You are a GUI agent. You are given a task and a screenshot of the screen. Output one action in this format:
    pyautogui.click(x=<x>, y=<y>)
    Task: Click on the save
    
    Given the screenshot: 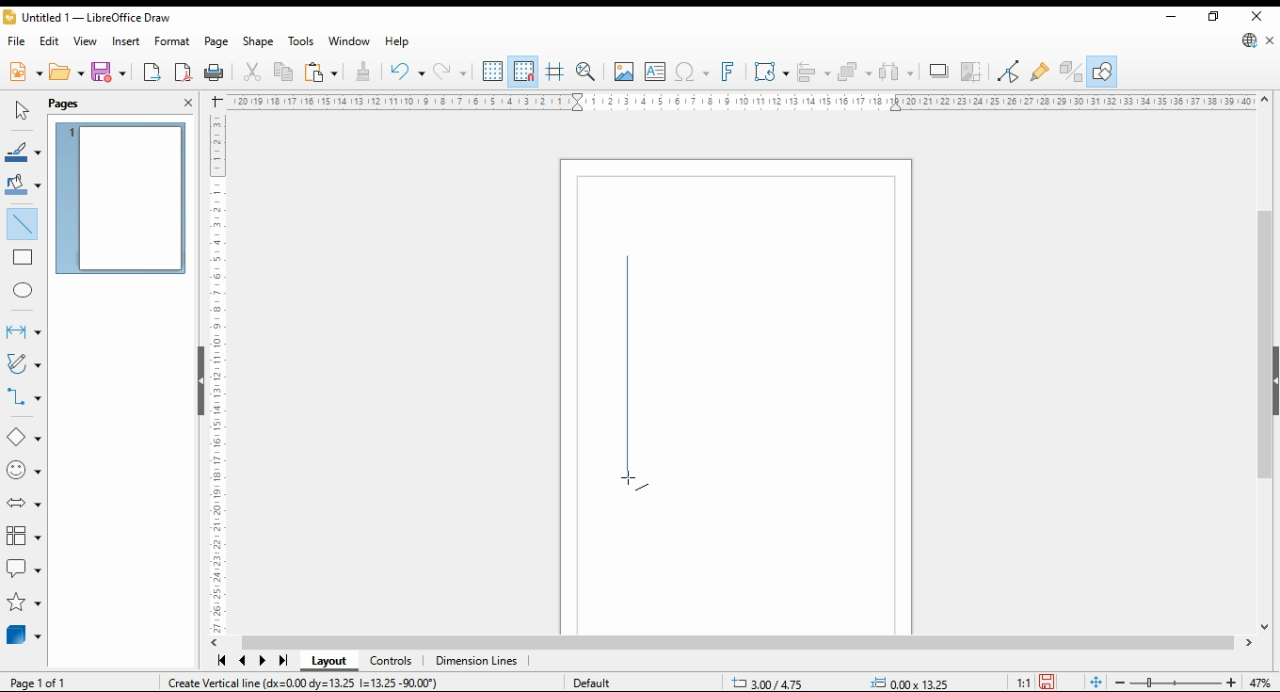 What is the action you would take?
    pyautogui.click(x=109, y=71)
    